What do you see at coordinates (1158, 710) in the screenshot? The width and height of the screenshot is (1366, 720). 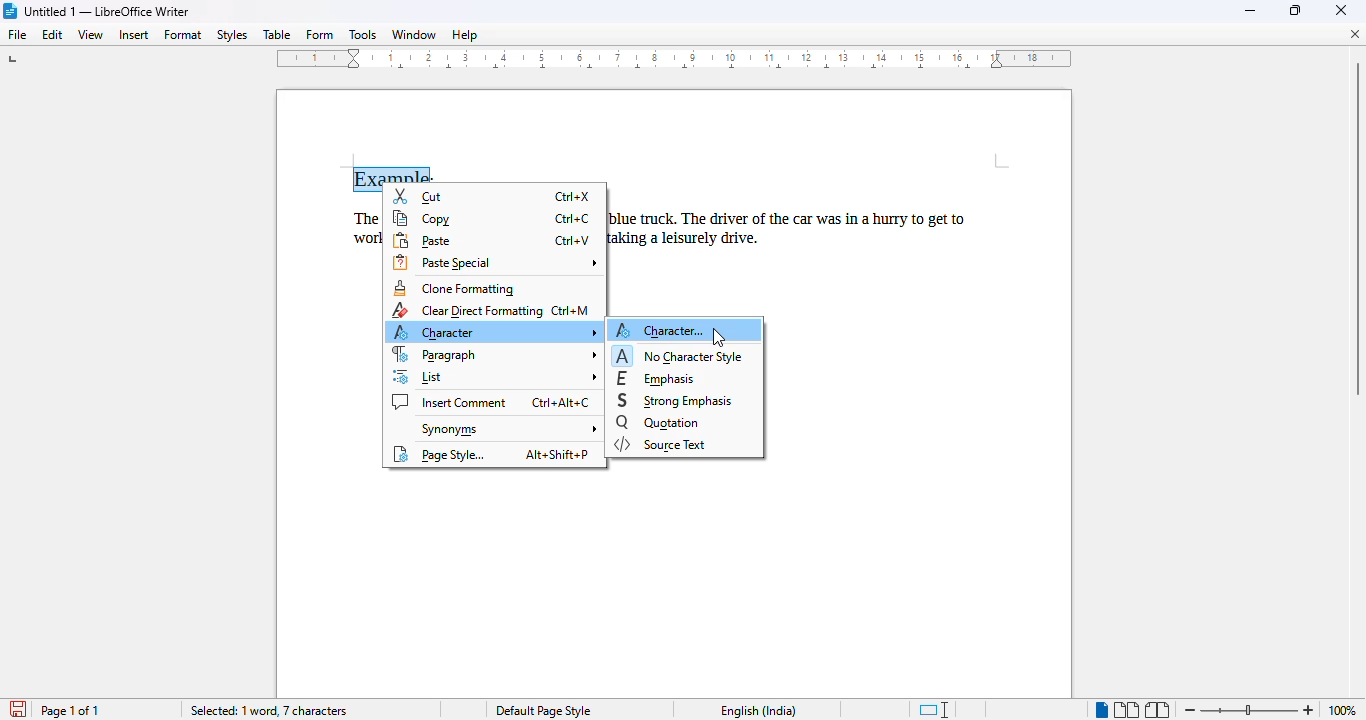 I see `book view` at bounding box center [1158, 710].